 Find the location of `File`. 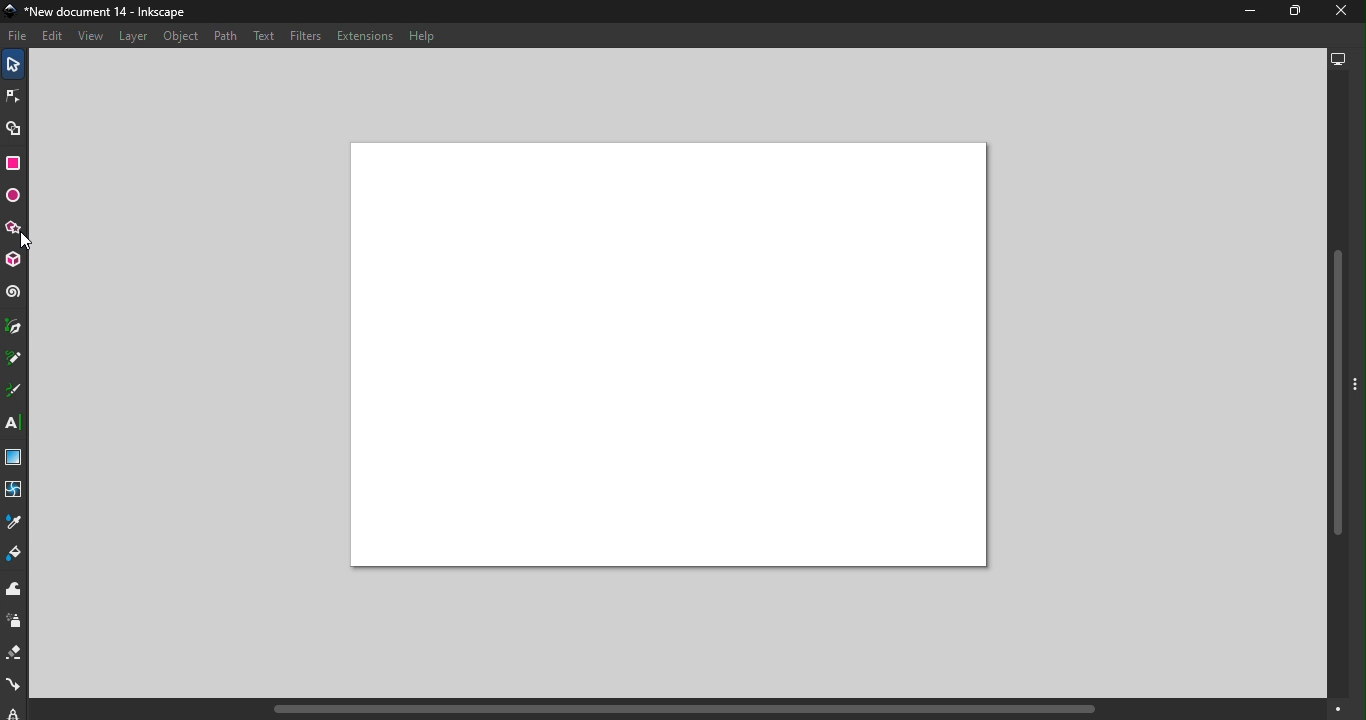

File is located at coordinates (20, 36).